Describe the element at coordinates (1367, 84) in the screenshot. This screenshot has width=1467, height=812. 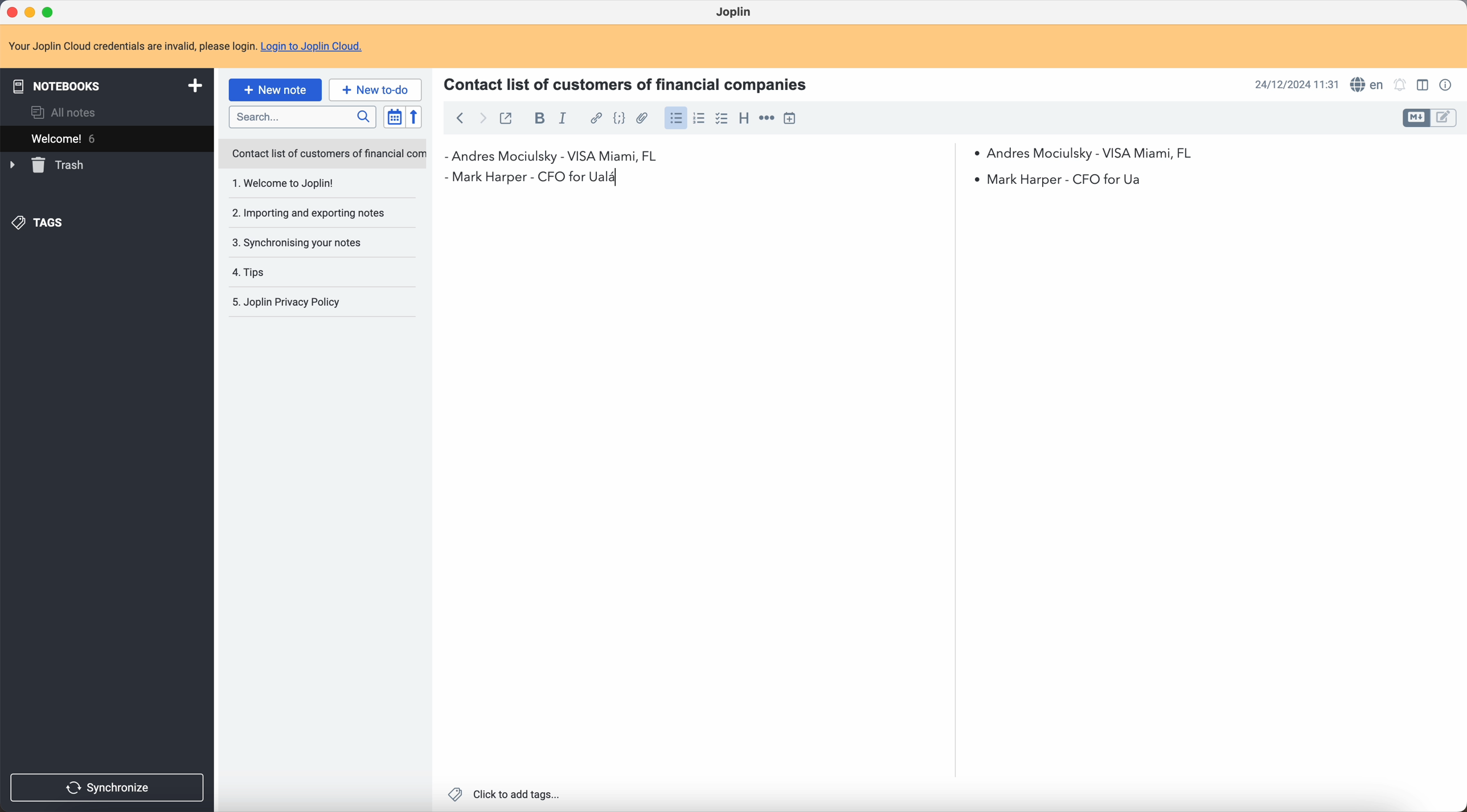
I see `spell checker` at that location.